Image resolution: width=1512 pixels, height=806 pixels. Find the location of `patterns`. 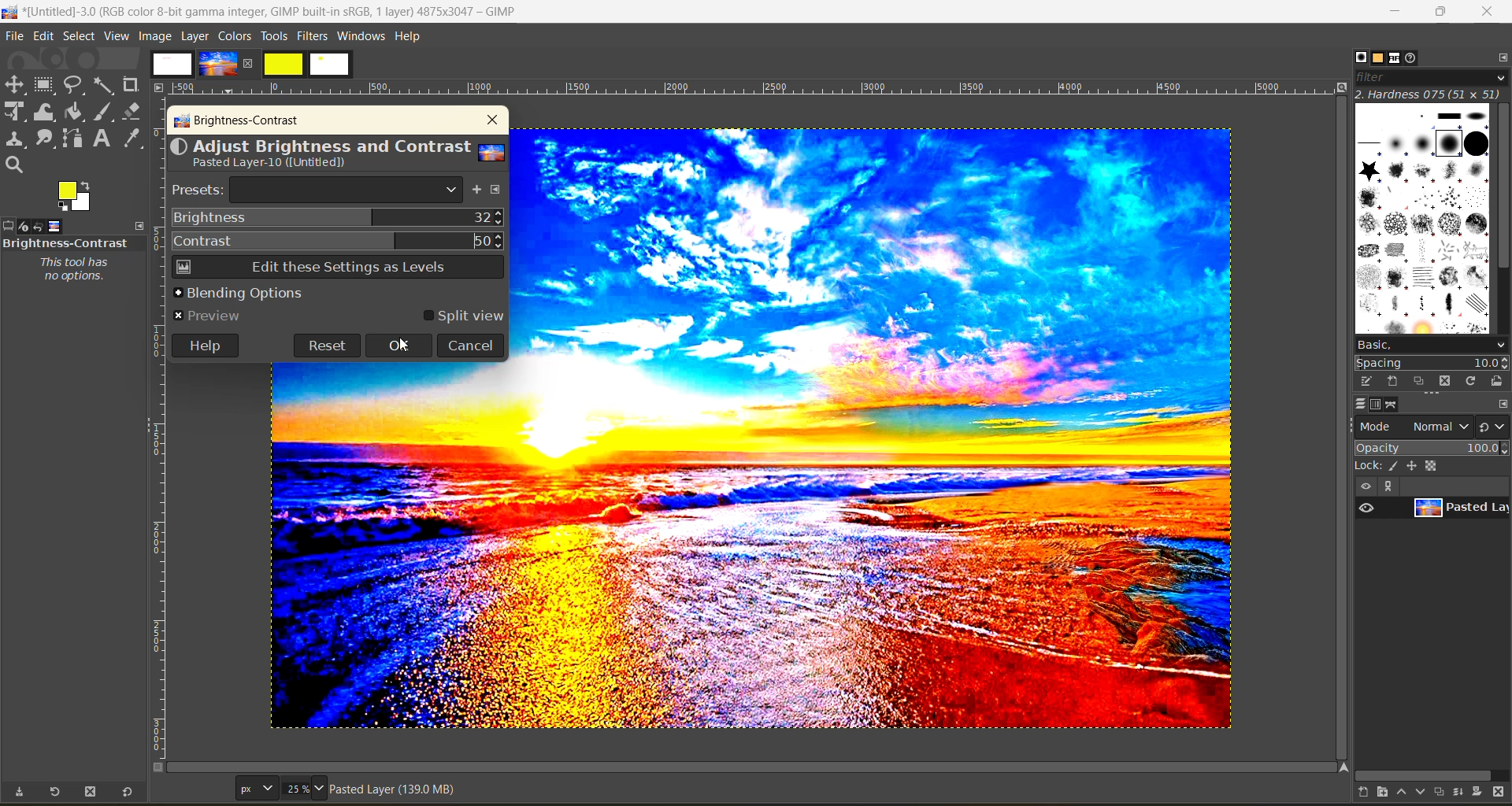

patterns is located at coordinates (1380, 58).